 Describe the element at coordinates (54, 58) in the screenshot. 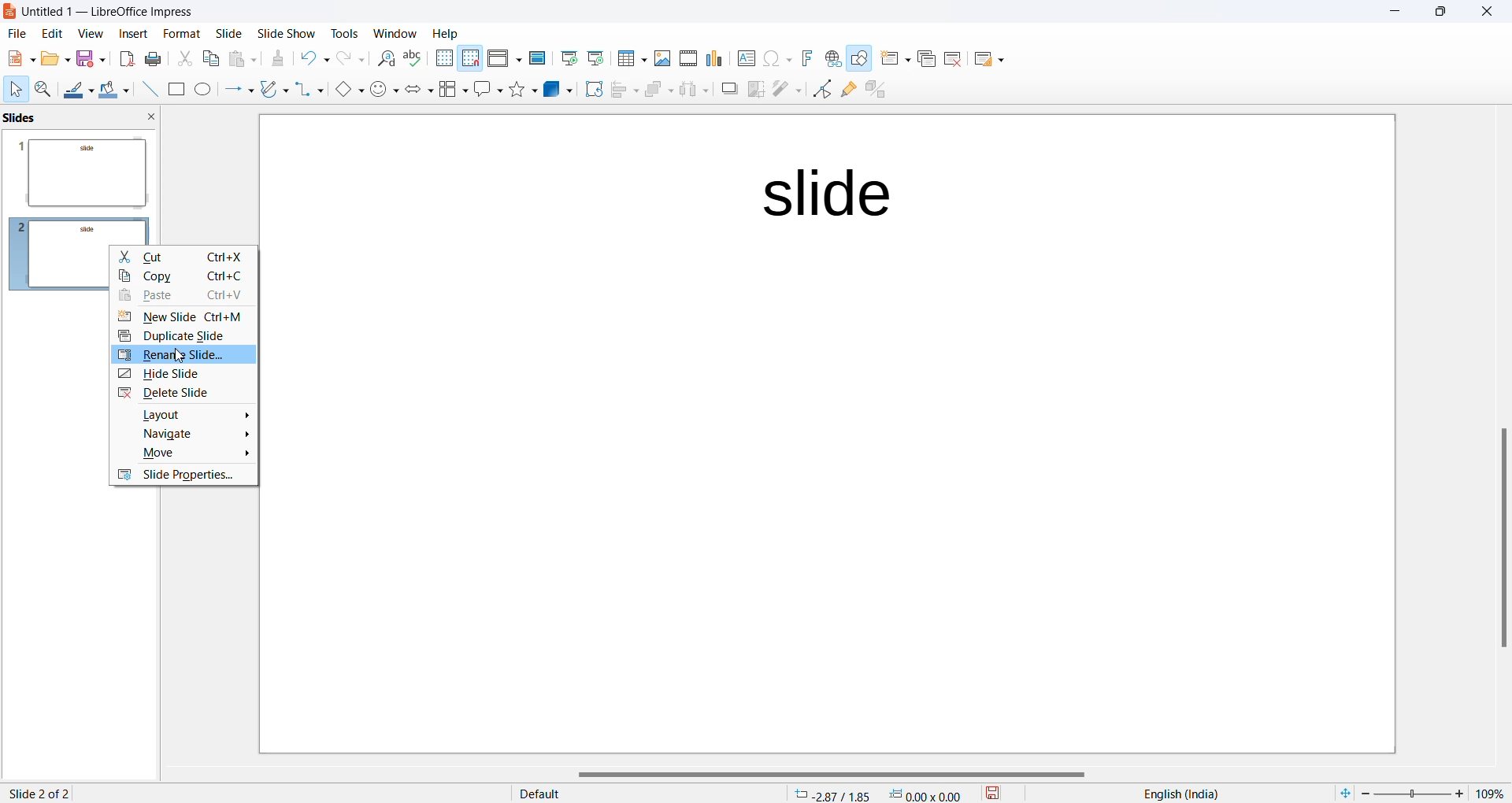

I see `New file` at that location.